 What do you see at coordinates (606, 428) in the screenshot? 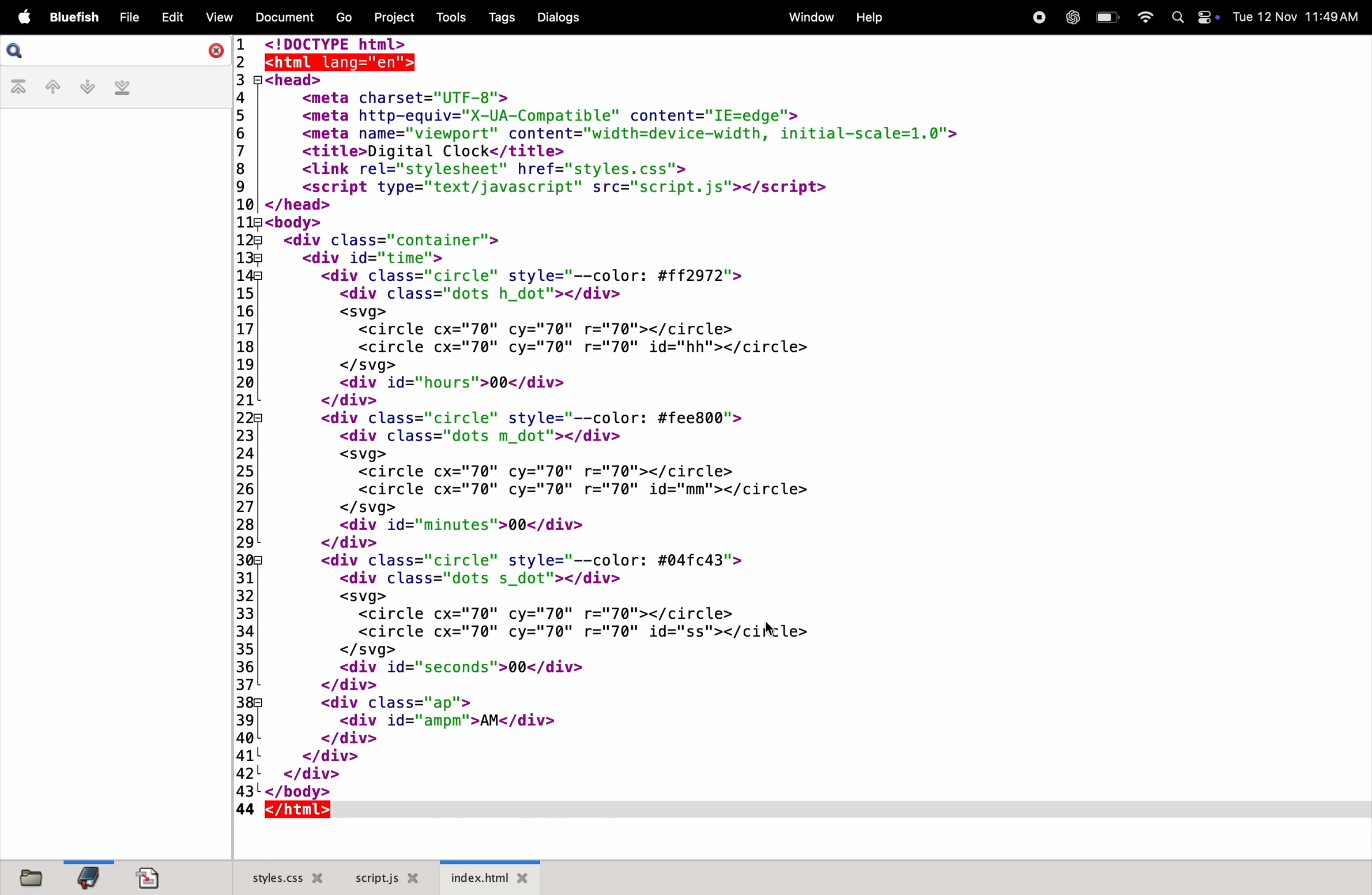
I see `code block` at bounding box center [606, 428].